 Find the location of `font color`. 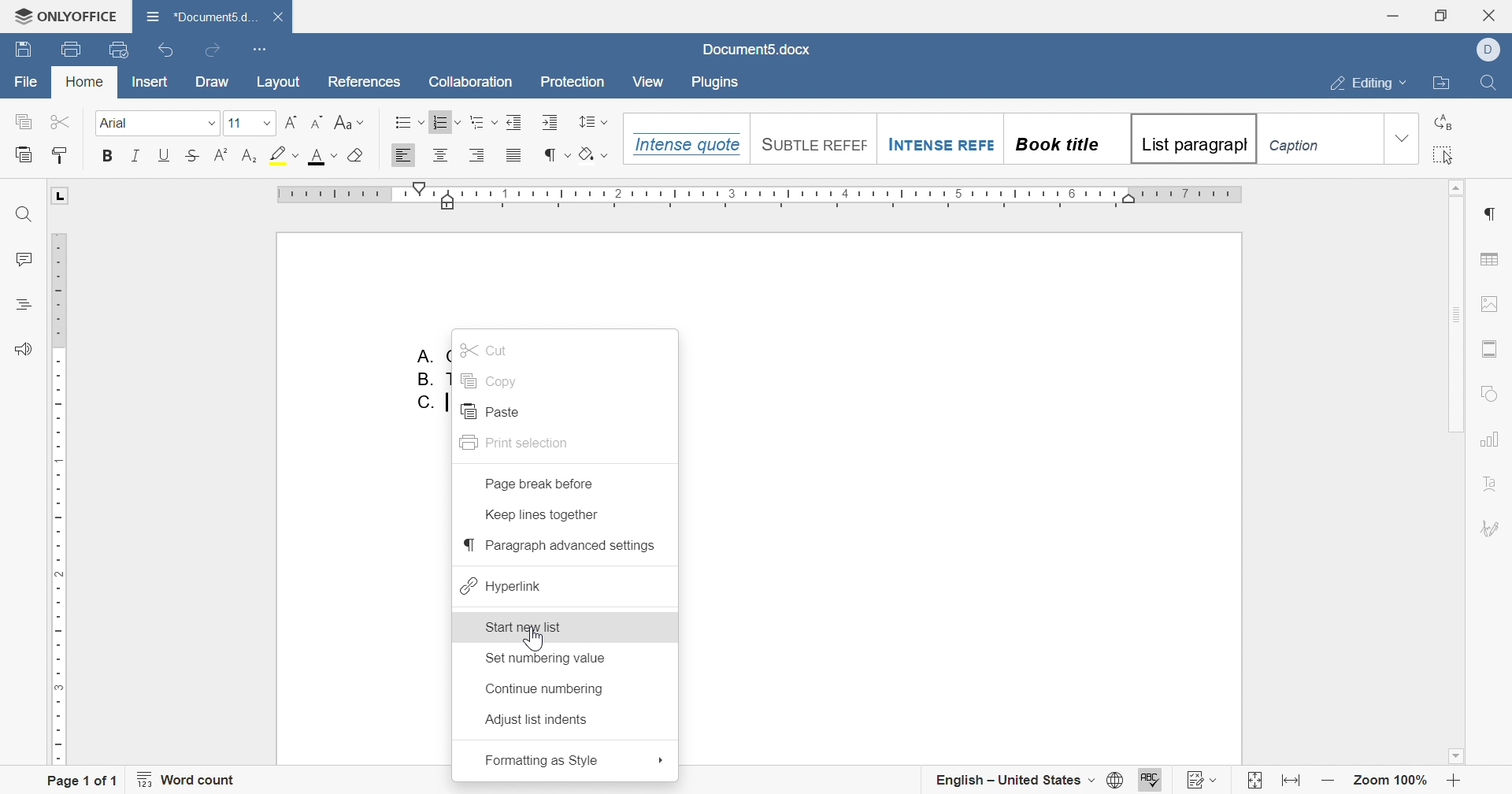

font color is located at coordinates (324, 157).